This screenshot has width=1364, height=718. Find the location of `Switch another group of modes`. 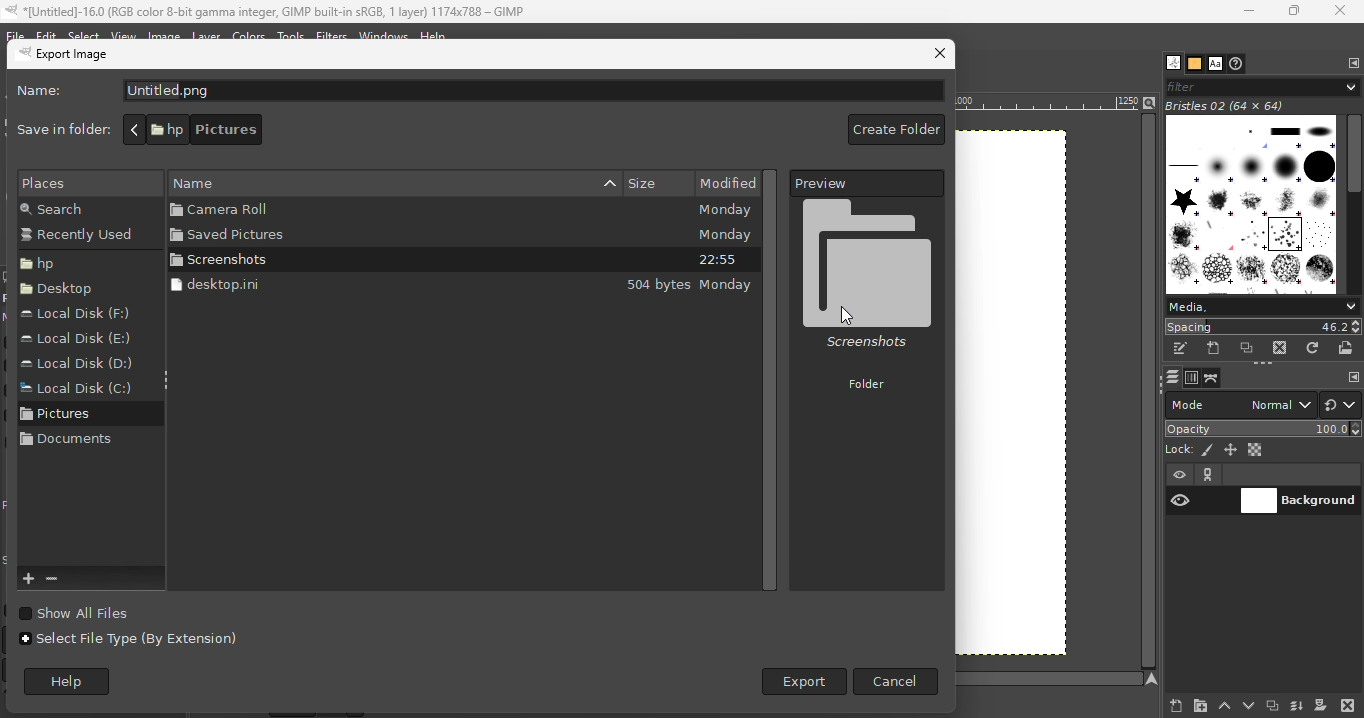

Switch another group of modes is located at coordinates (1342, 404).